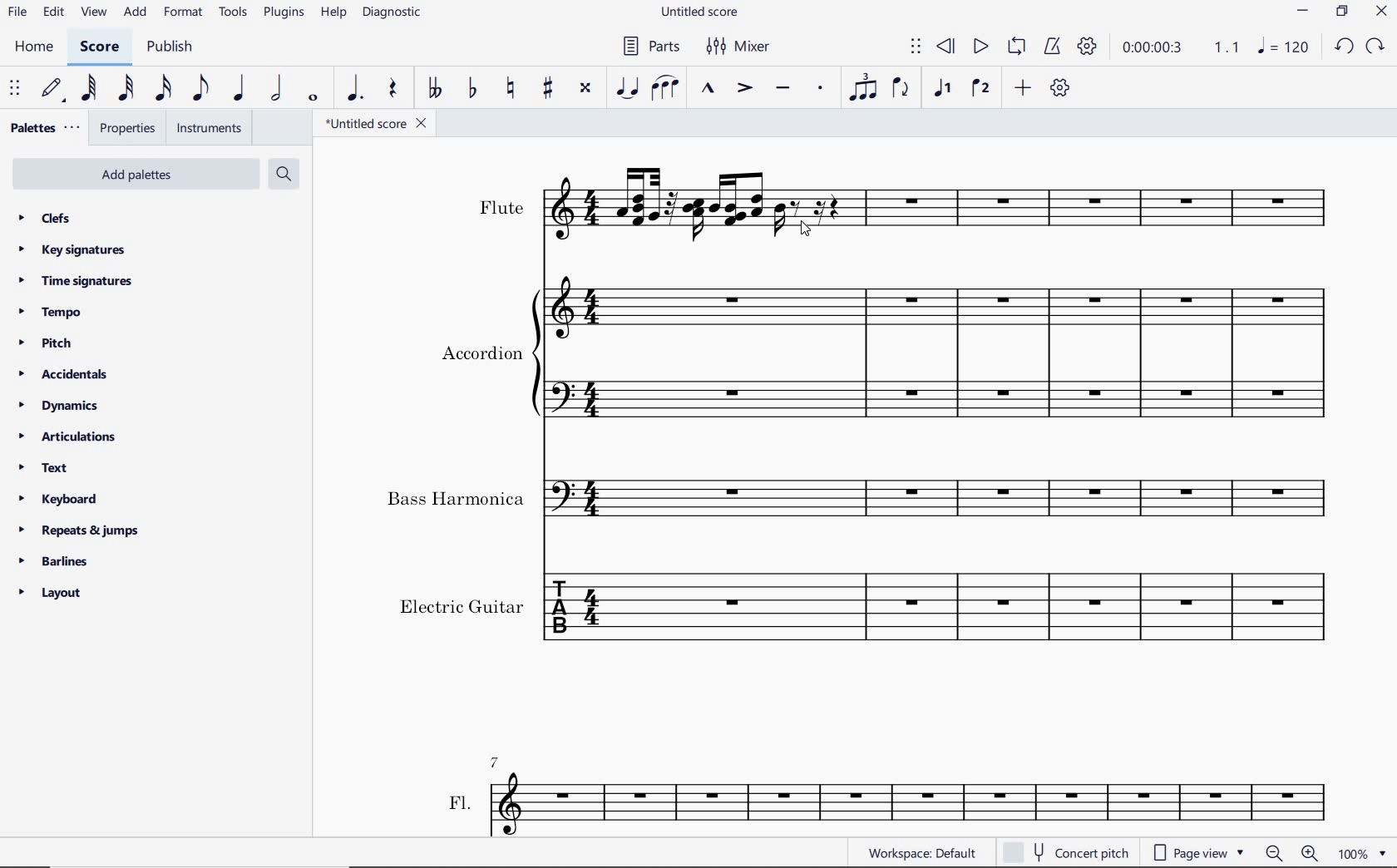 This screenshot has width=1397, height=868. What do you see at coordinates (1276, 852) in the screenshot?
I see `ZOOM OUT` at bounding box center [1276, 852].